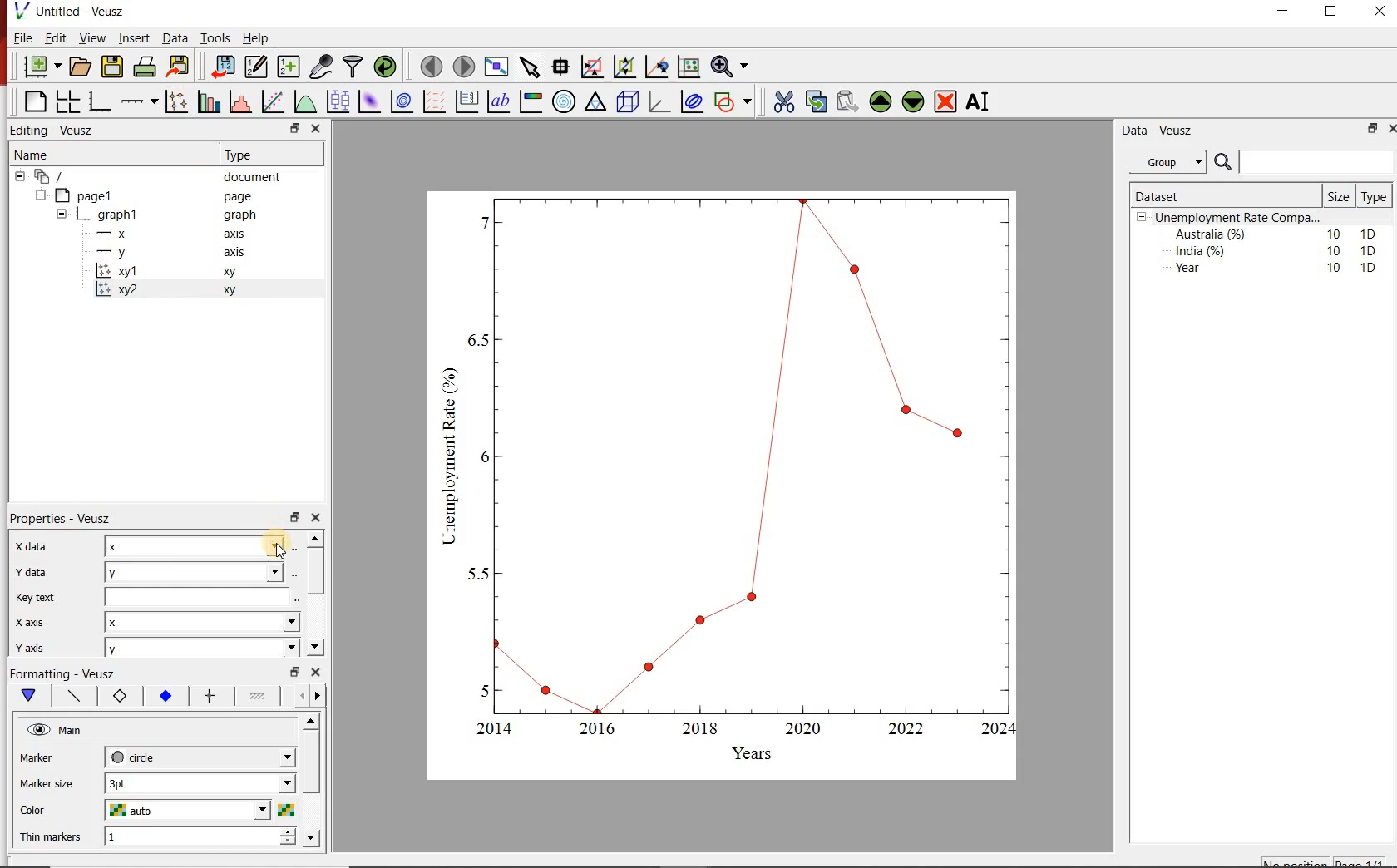  What do you see at coordinates (68, 10) in the screenshot?
I see `Untitled - Veusz` at bounding box center [68, 10].